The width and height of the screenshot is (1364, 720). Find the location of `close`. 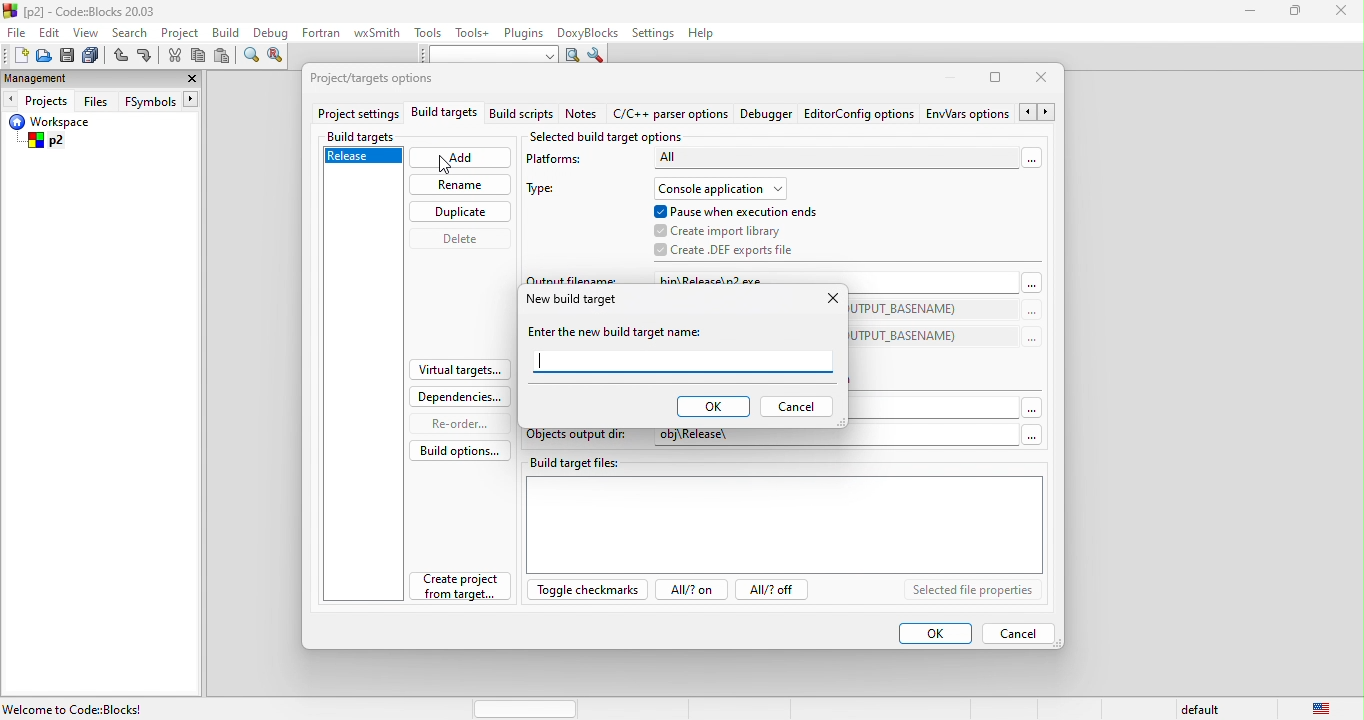

close is located at coordinates (187, 80).